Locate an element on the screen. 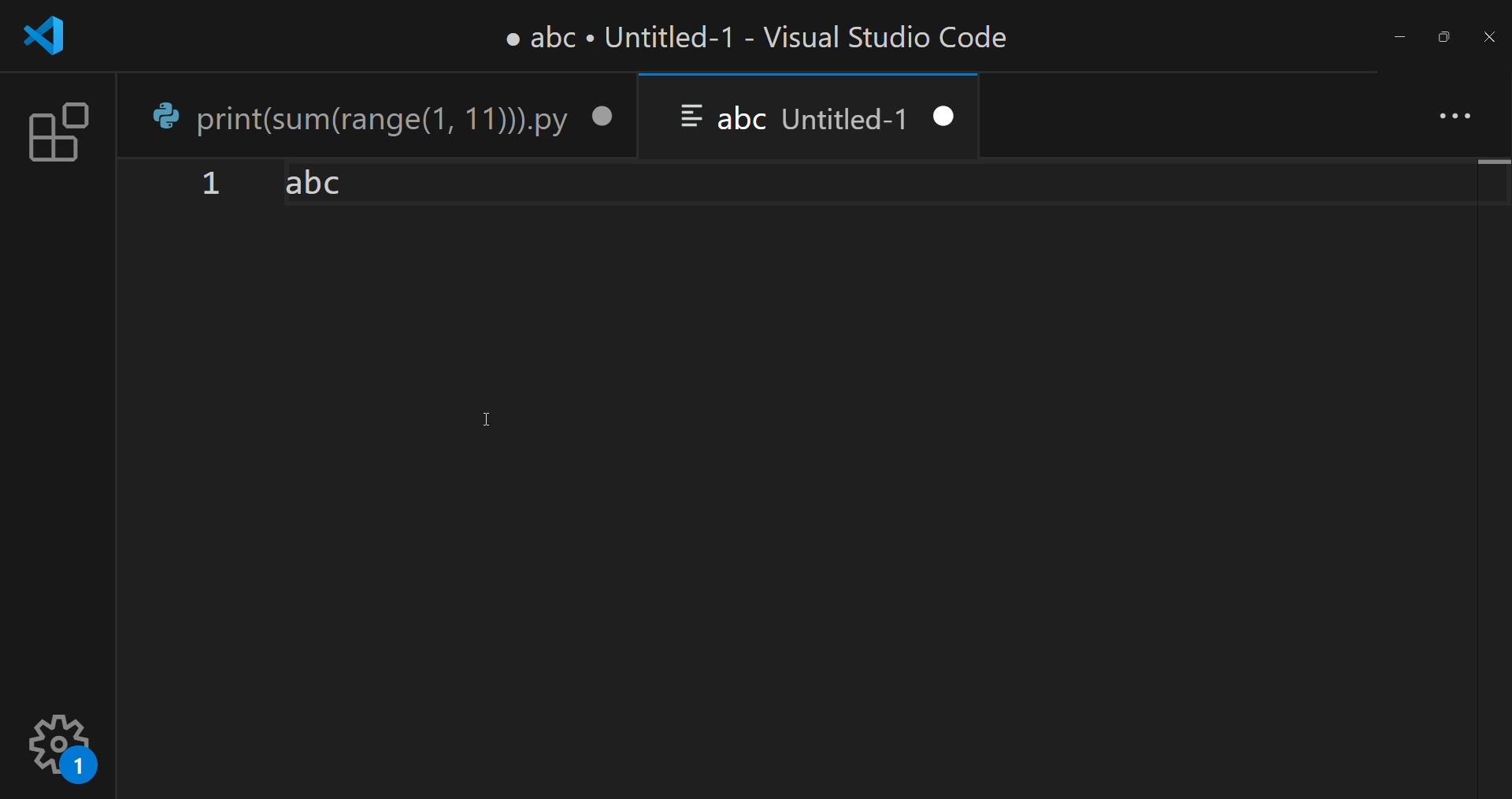 The image size is (1512, 799). minimize is located at coordinates (1399, 38).